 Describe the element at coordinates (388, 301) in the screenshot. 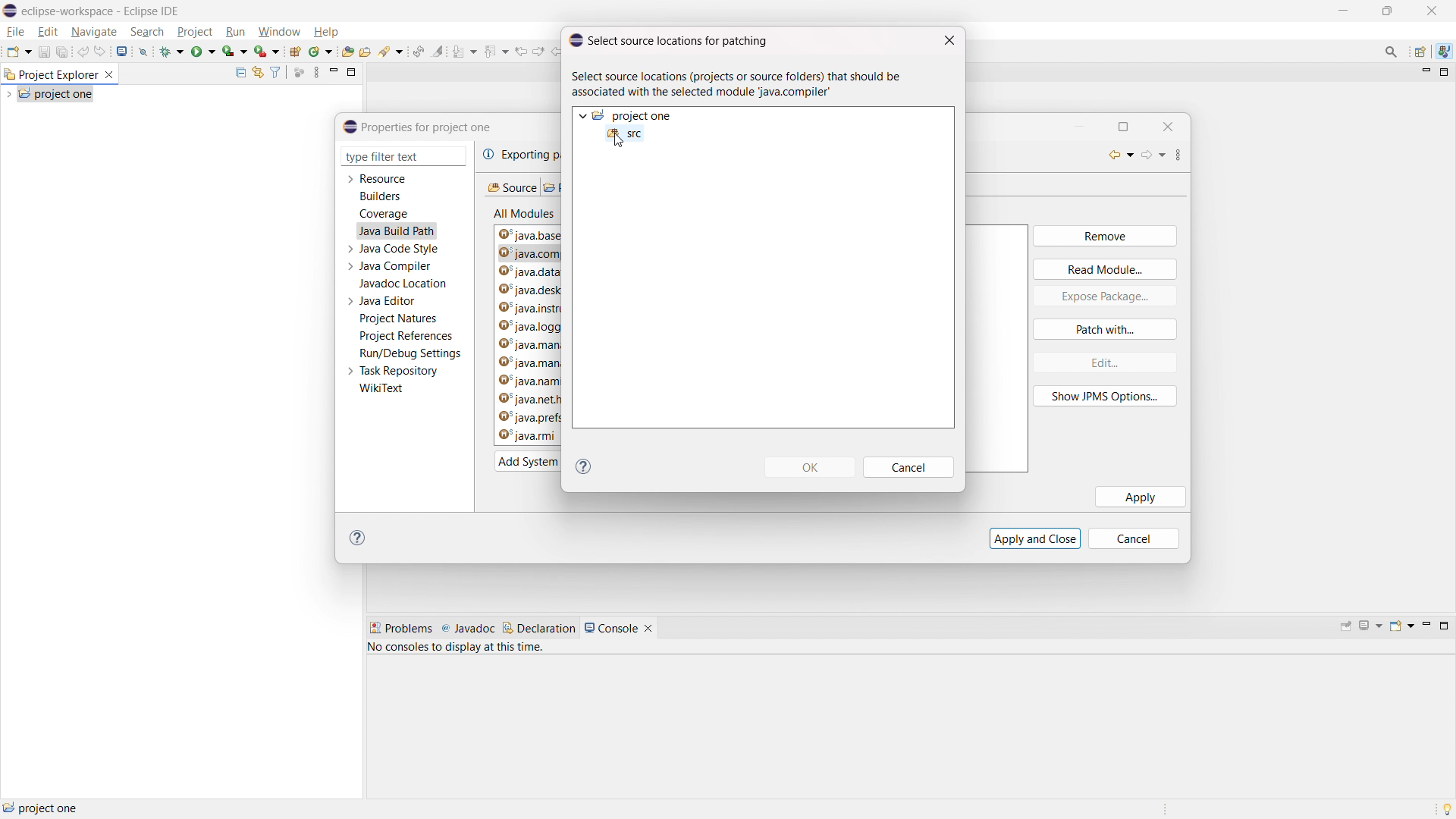

I see `java editor` at that location.